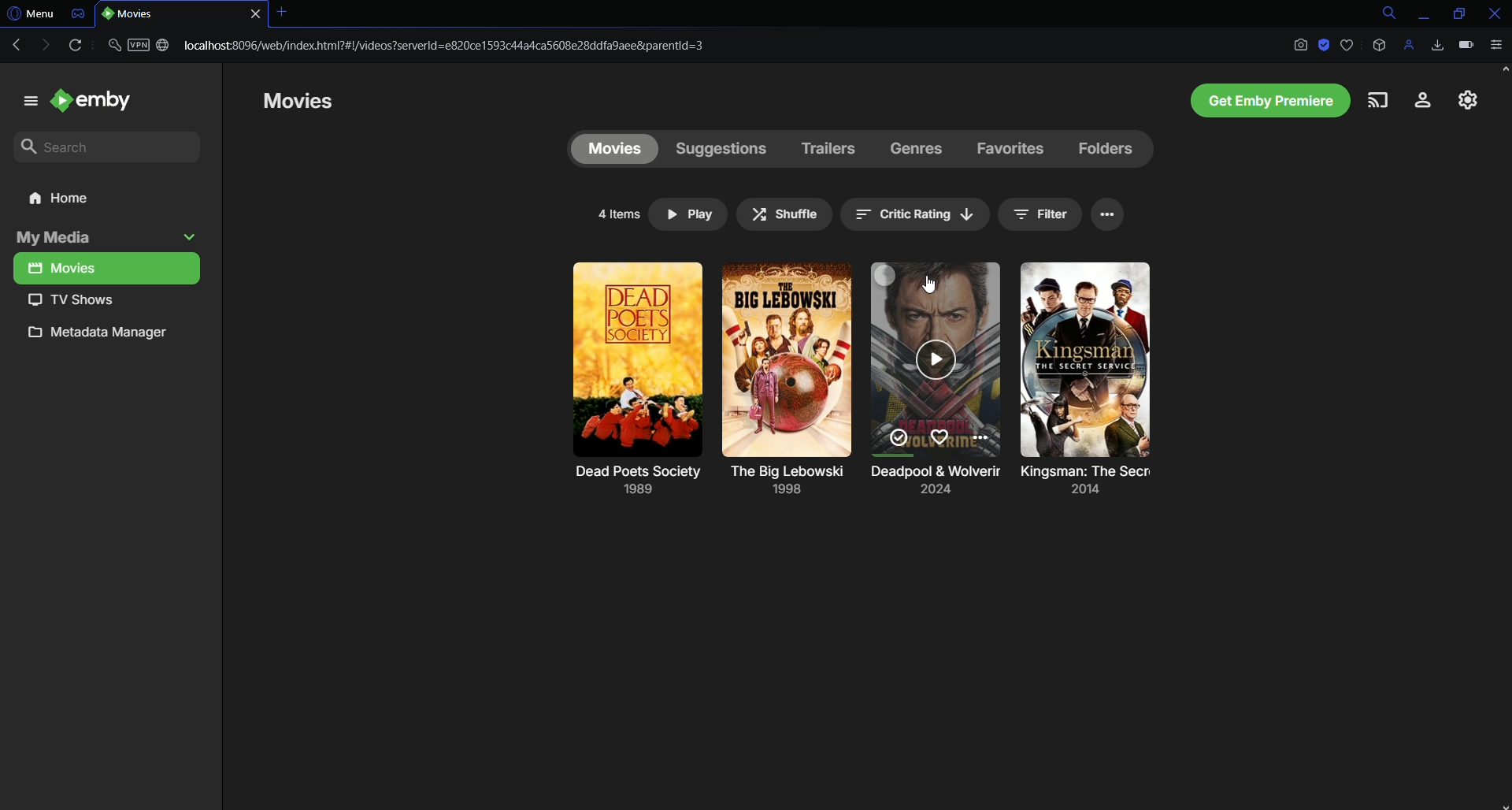  What do you see at coordinates (1347, 44) in the screenshot?
I see `Bookmark` at bounding box center [1347, 44].